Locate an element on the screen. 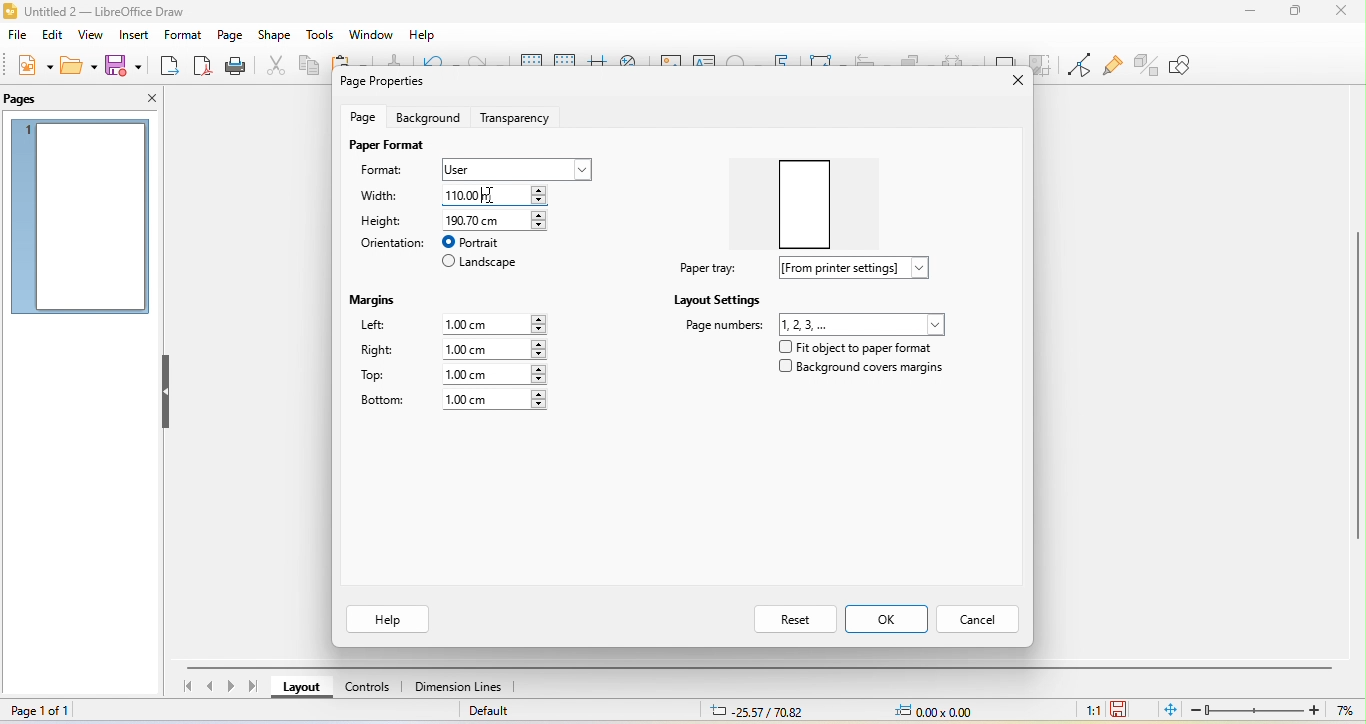 The height and width of the screenshot is (724, 1366). close is located at coordinates (1340, 11).